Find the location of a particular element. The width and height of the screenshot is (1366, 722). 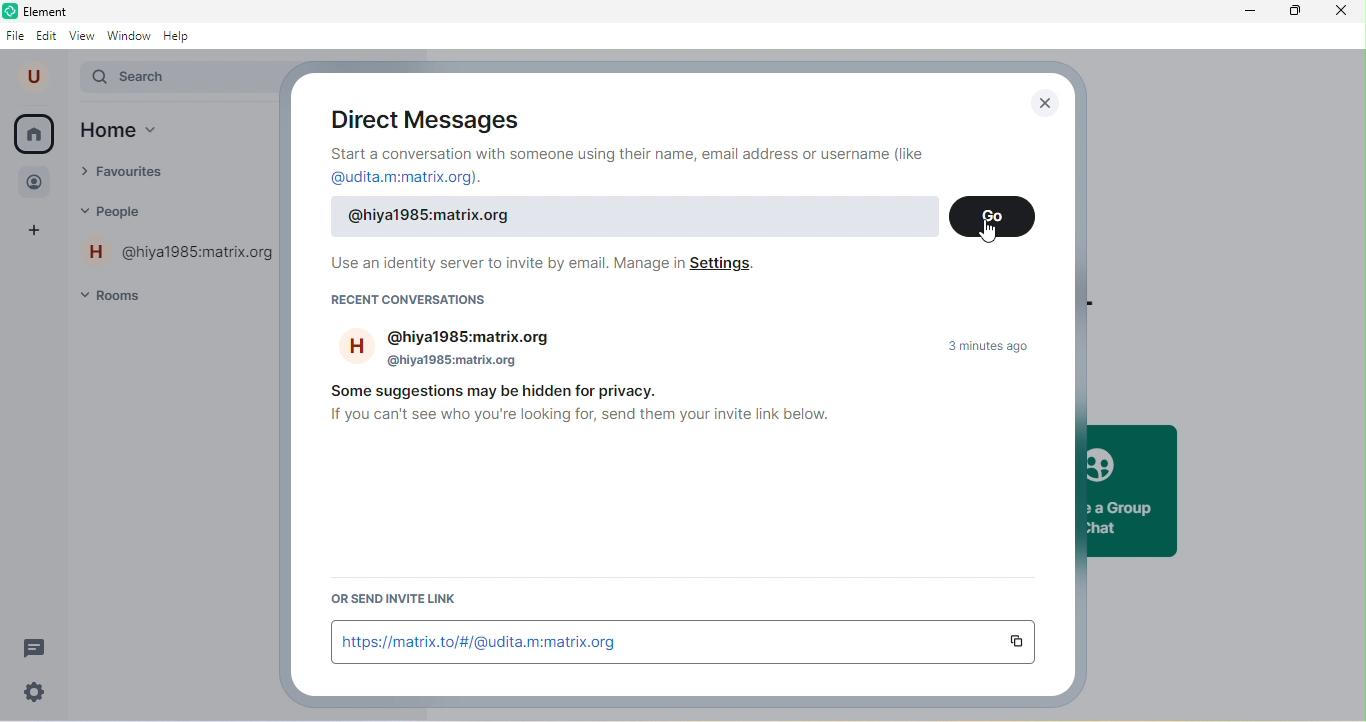

@hiya1985.matrix.org is located at coordinates (641, 218).